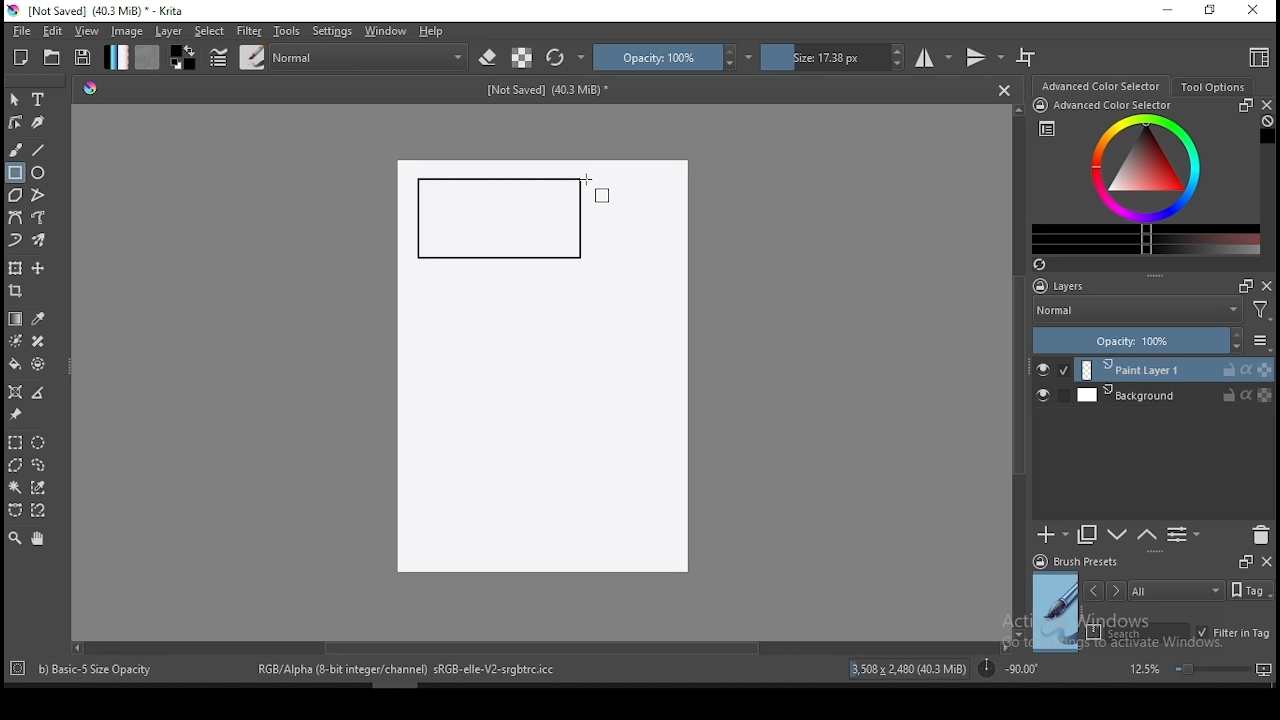 This screenshot has height=720, width=1280. I want to click on line tool, so click(39, 150).